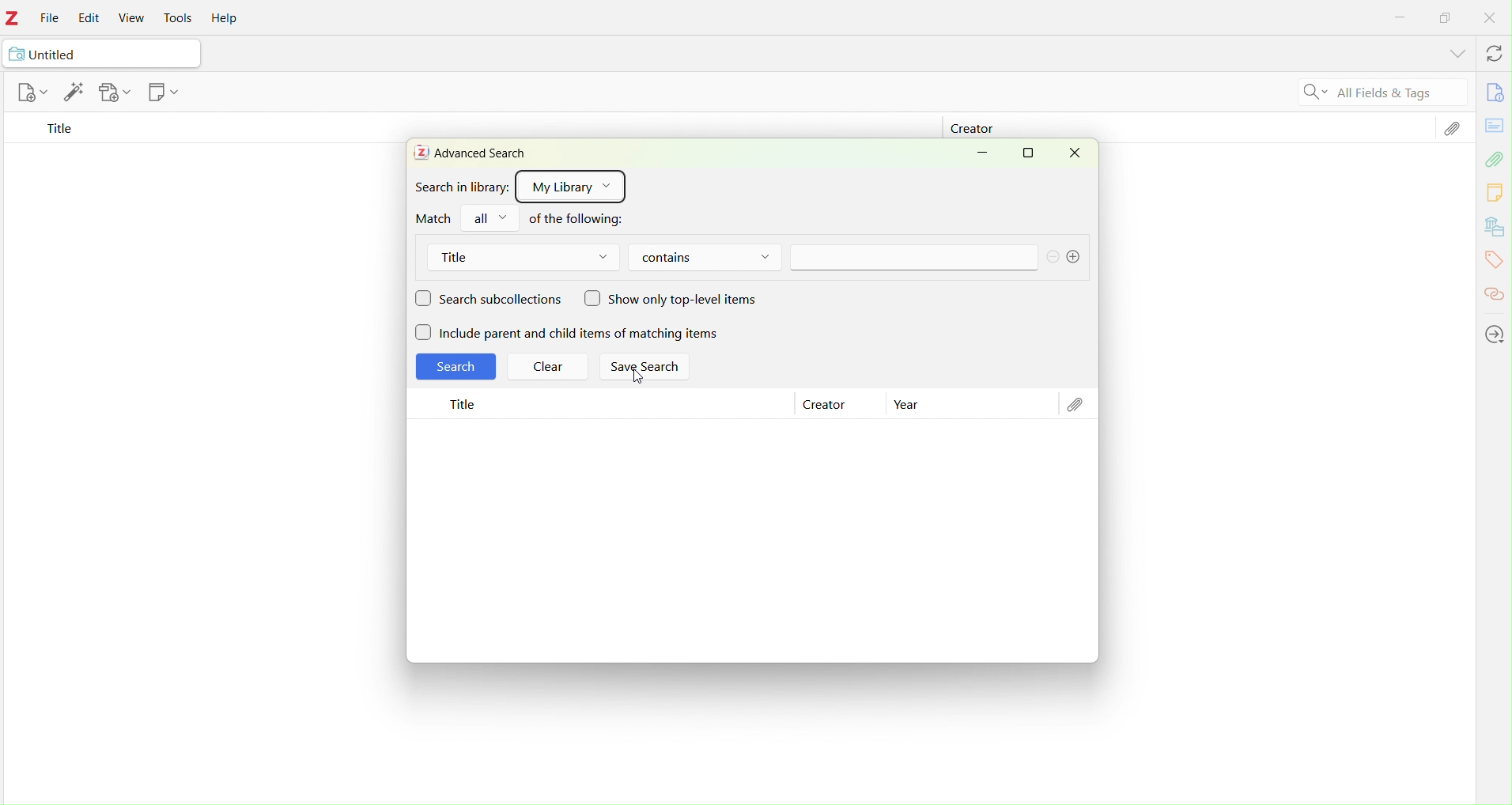 The height and width of the screenshot is (805, 1512). What do you see at coordinates (1076, 155) in the screenshot?
I see `Close` at bounding box center [1076, 155].